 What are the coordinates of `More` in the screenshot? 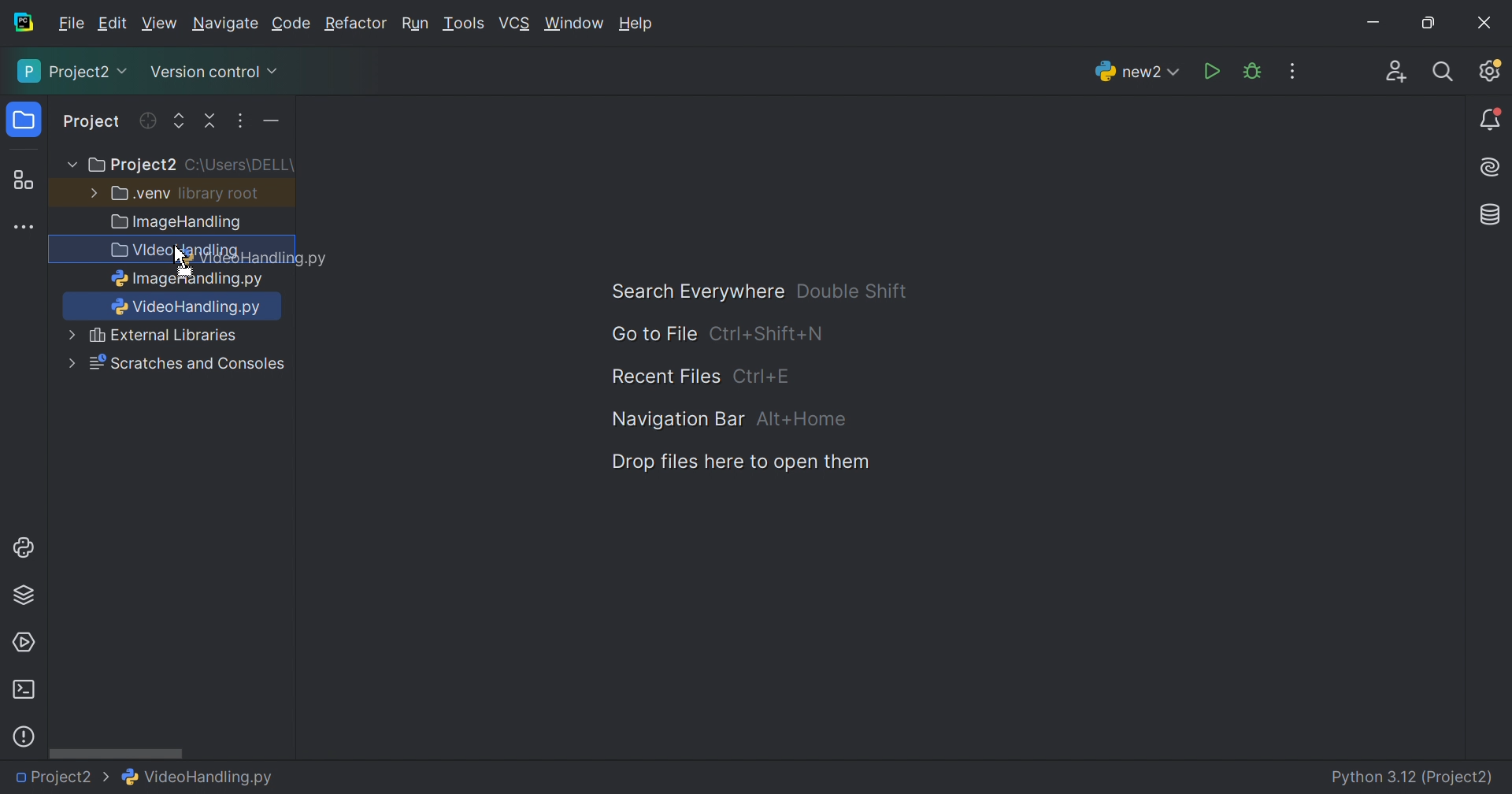 It's located at (69, 165).